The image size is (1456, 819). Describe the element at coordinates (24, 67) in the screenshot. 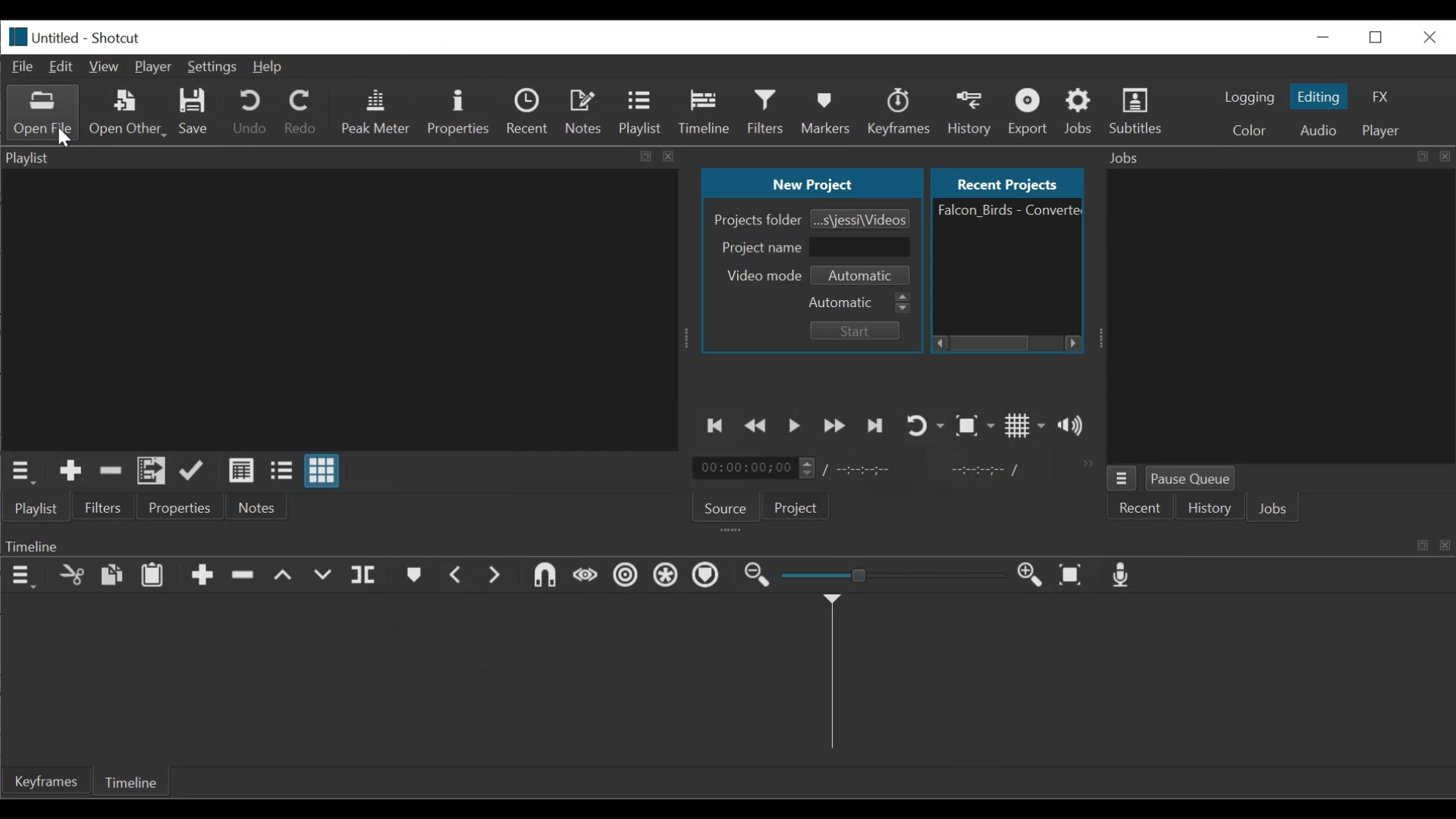

I see `File` at that location.